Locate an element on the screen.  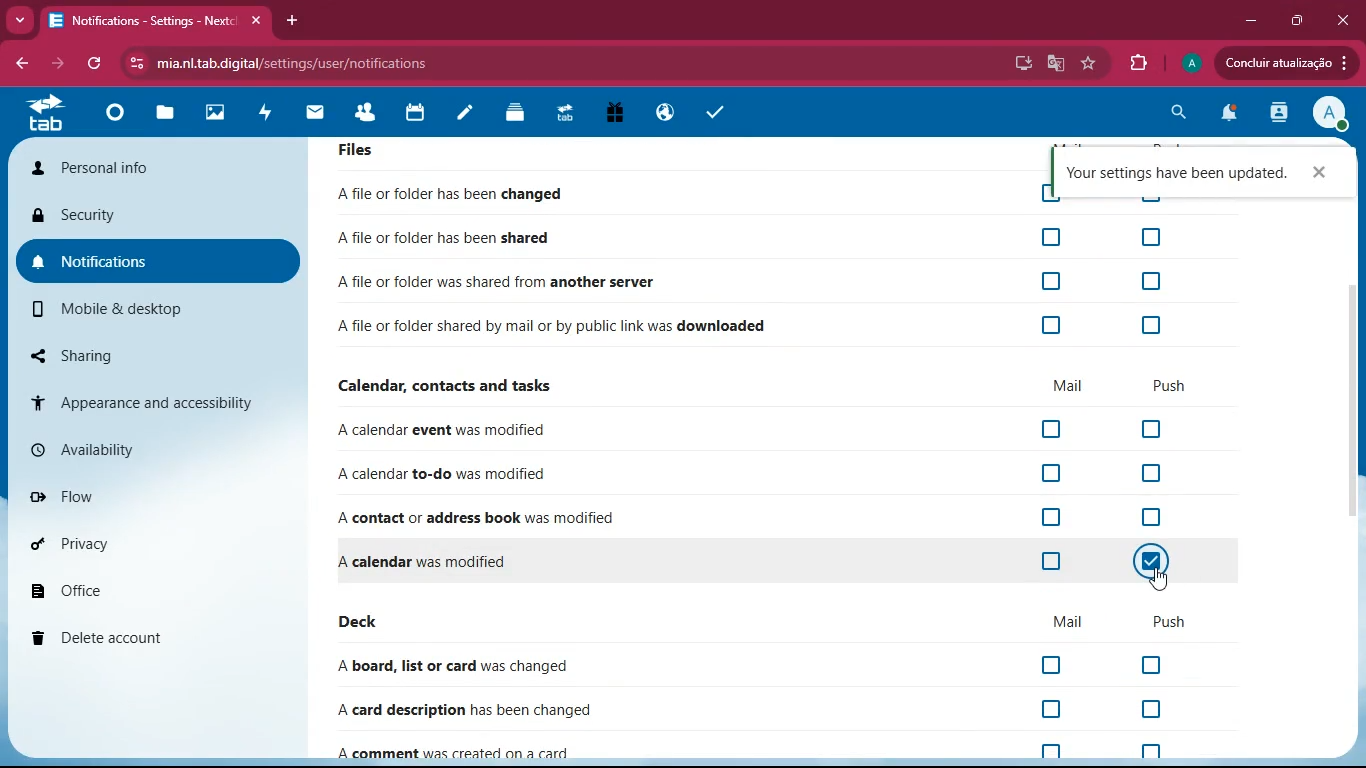
Checkbox is located at coordinates (1157, 235).